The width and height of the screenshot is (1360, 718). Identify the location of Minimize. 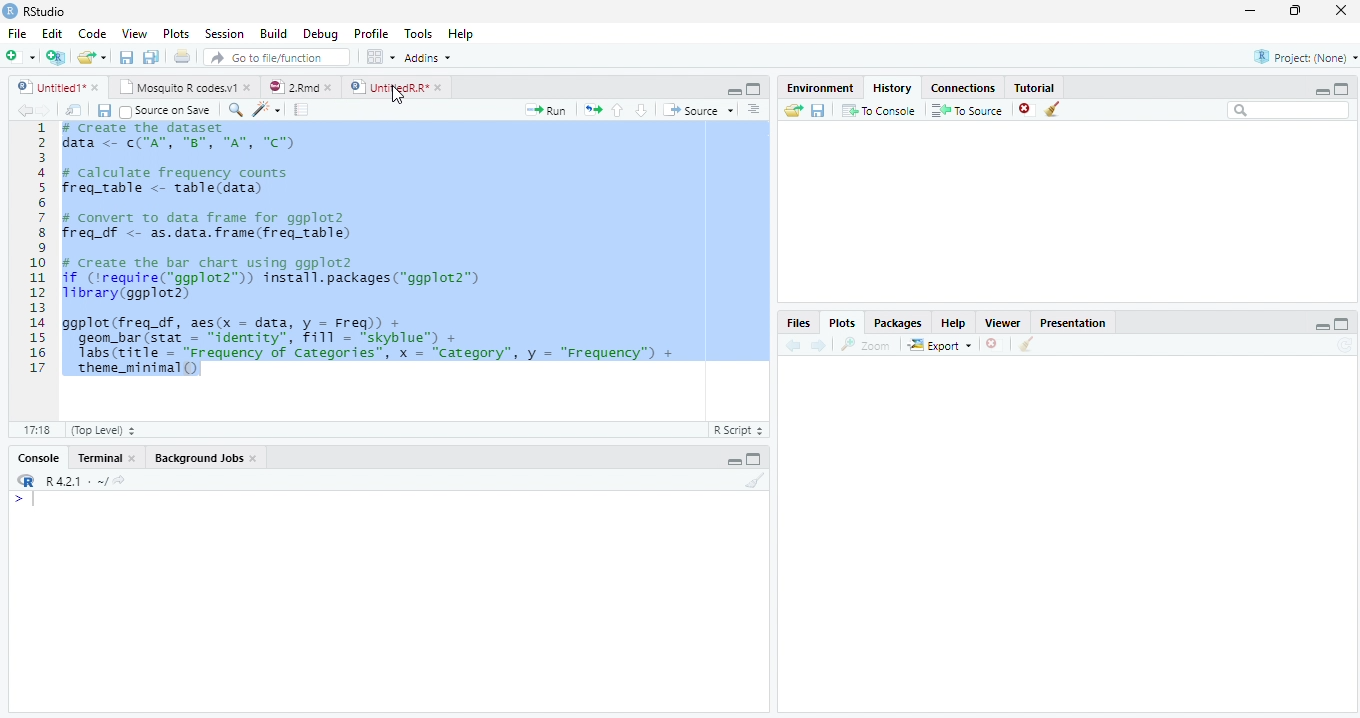
(1251, 10).